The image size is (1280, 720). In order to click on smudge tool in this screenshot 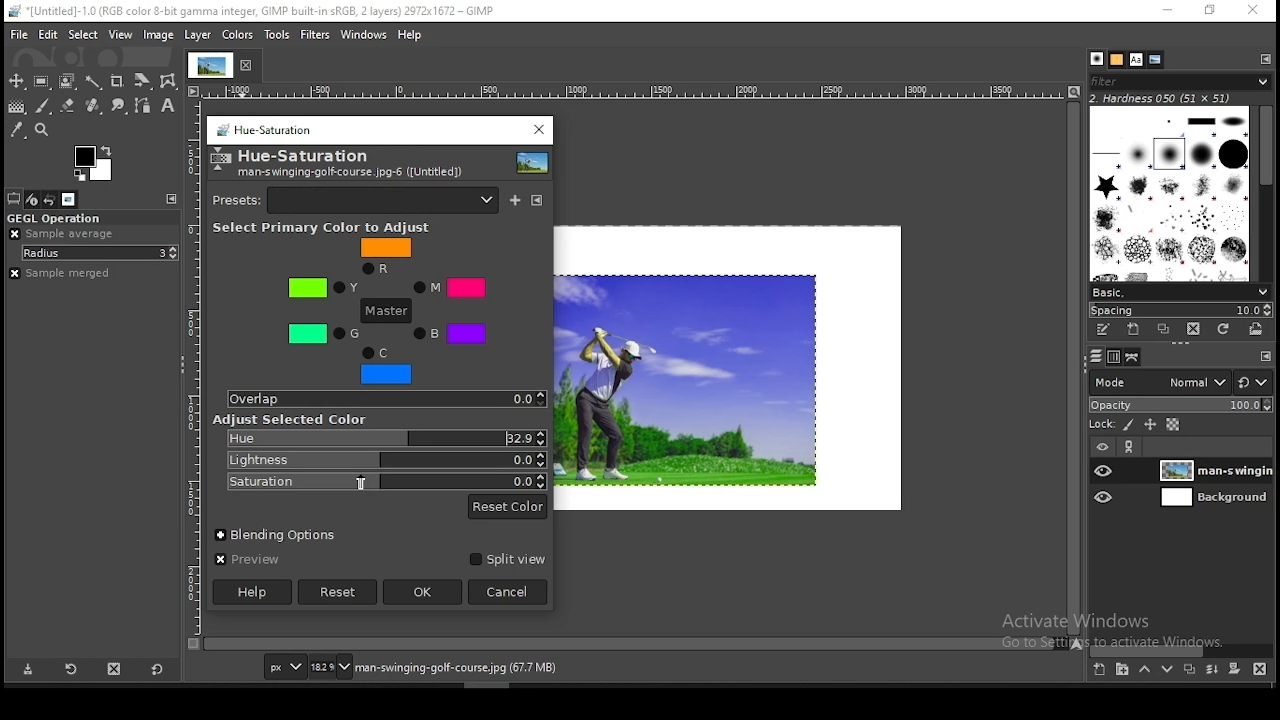, I will do `click(124, 106)`.